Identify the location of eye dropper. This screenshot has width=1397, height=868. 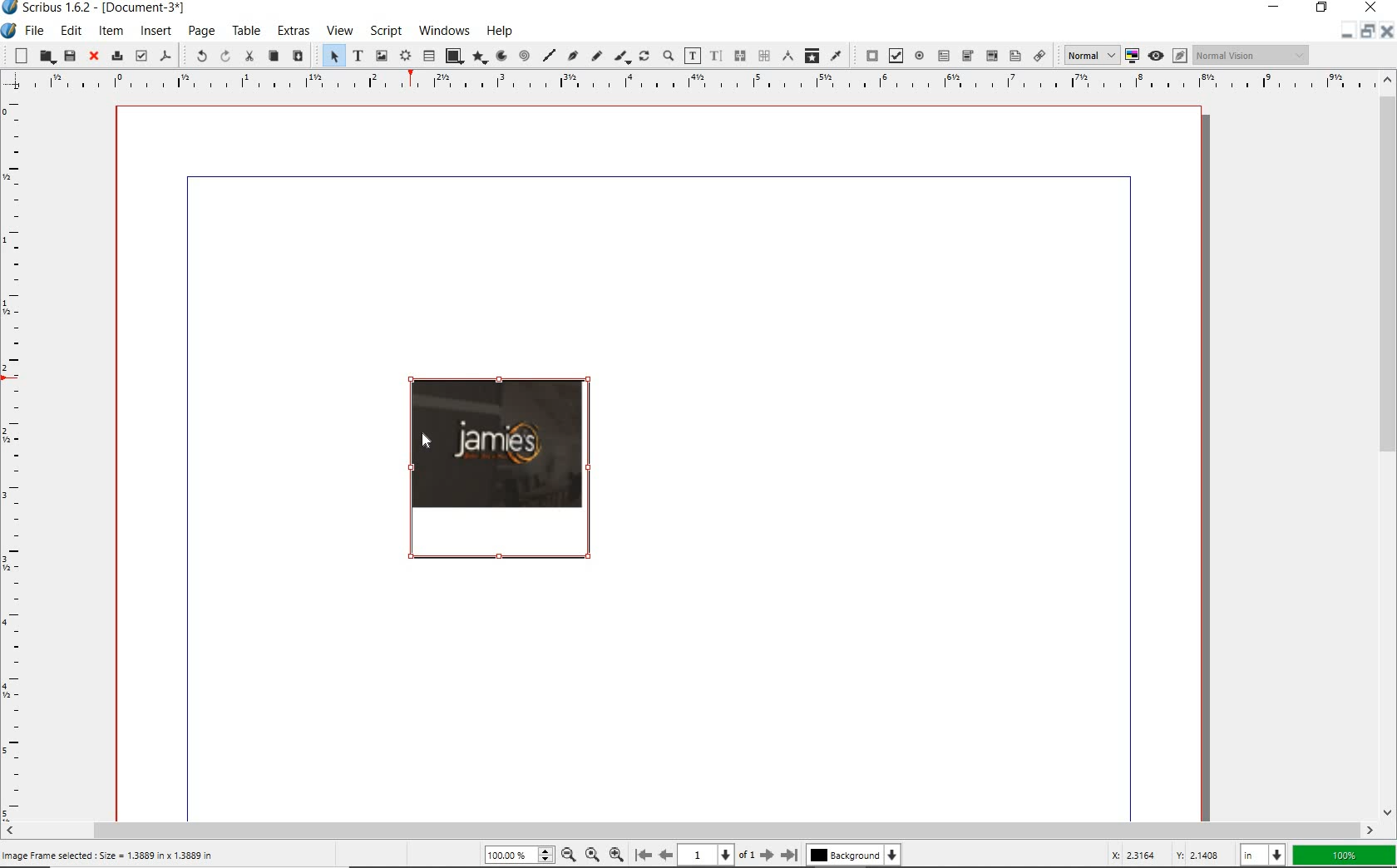
(837, 56).